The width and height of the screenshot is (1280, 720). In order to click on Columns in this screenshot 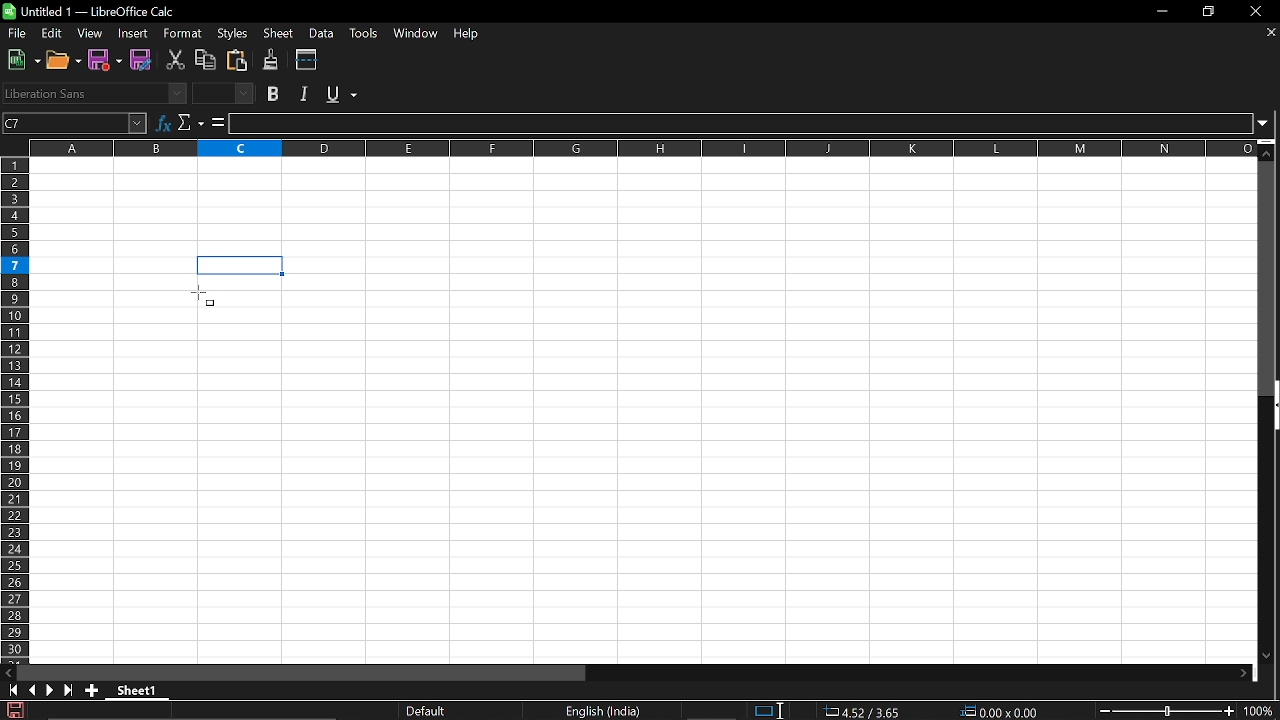, I will do `click(642, 146)`.